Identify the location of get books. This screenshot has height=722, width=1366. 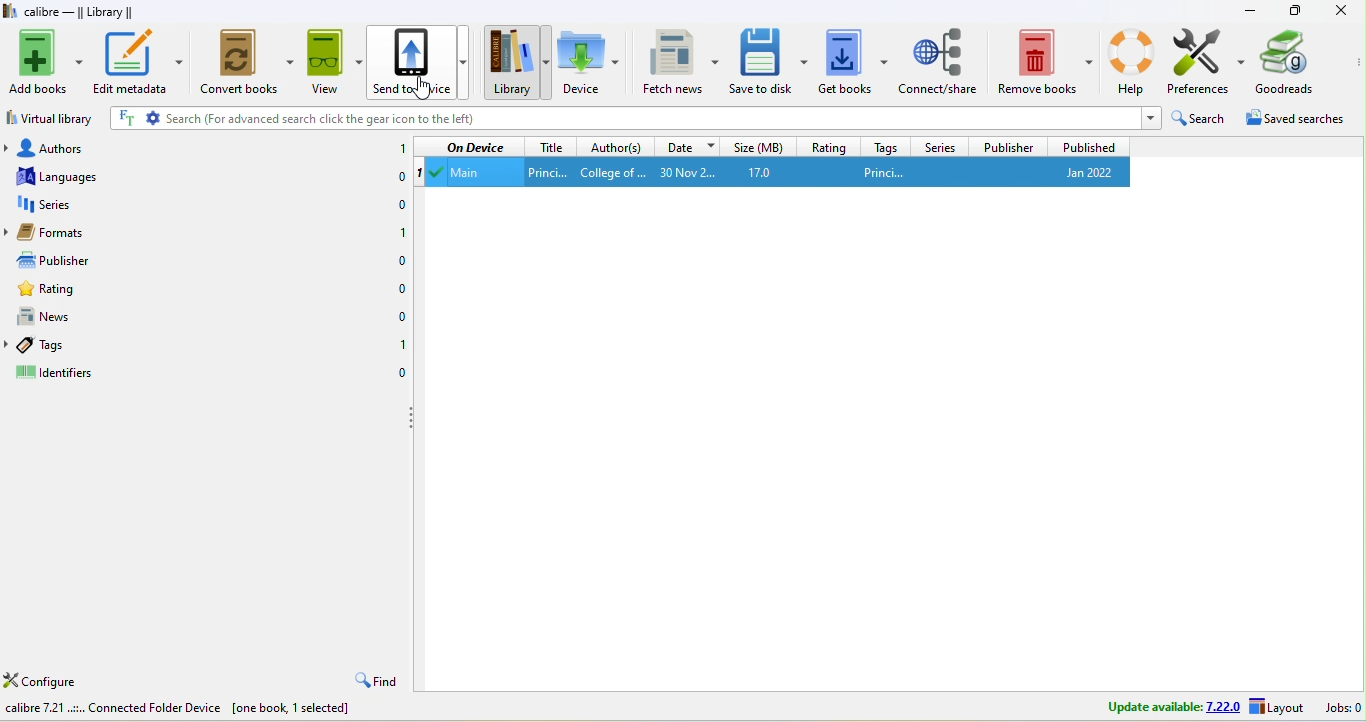
(855, 64).